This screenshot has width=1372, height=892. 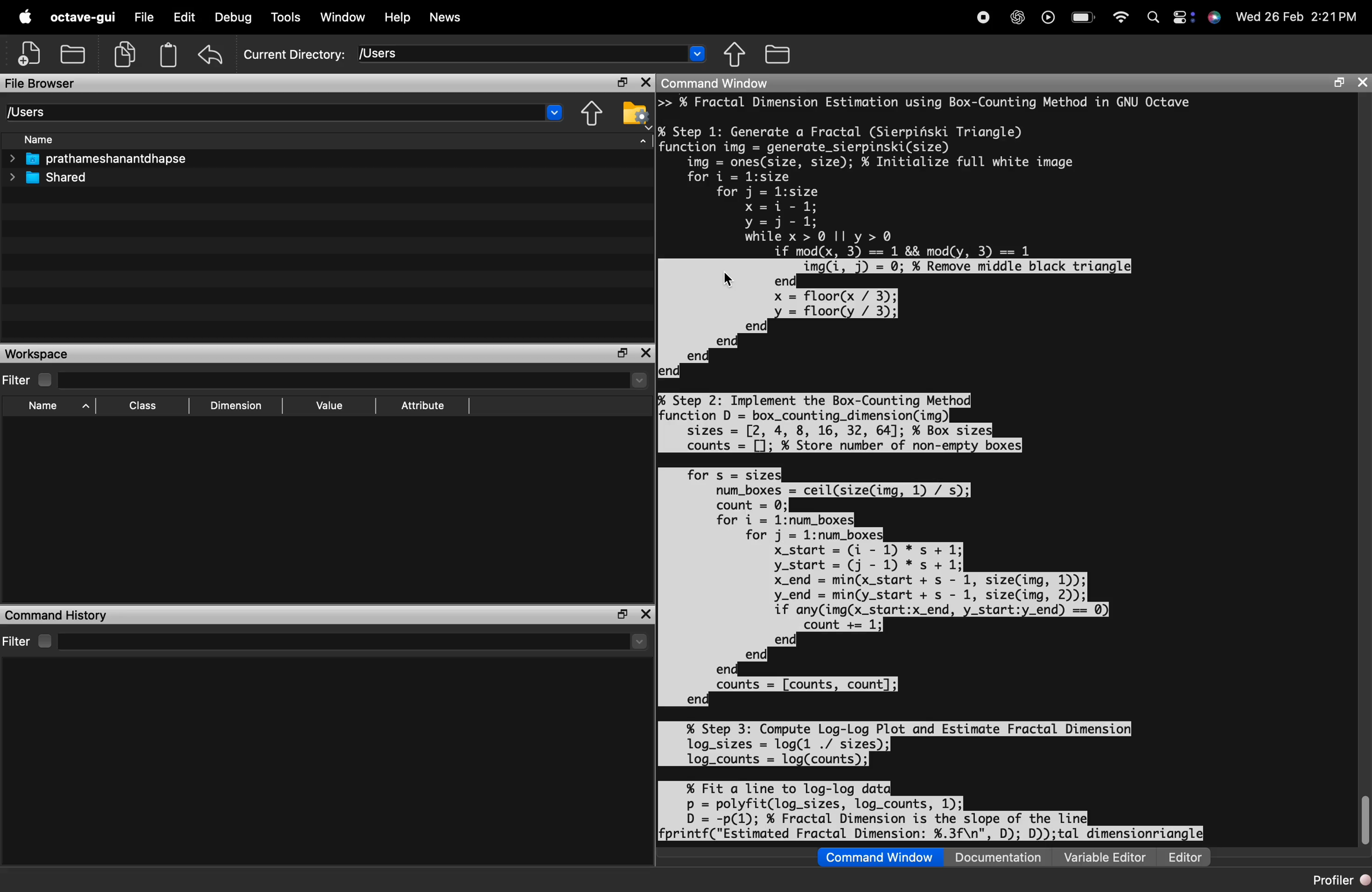 What do you see at coordinates (1000, 859) in the screenshot?
I see `Documentation` at bounding box center [1000, 859].